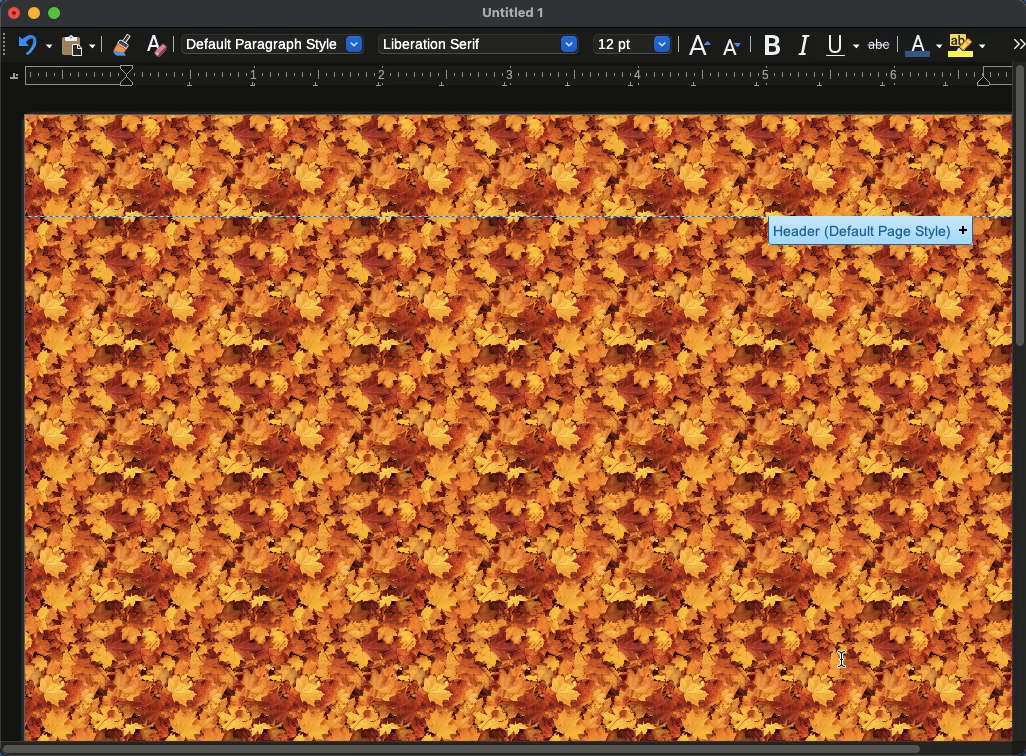  I want to click on clear formatting, so click(158, 43).